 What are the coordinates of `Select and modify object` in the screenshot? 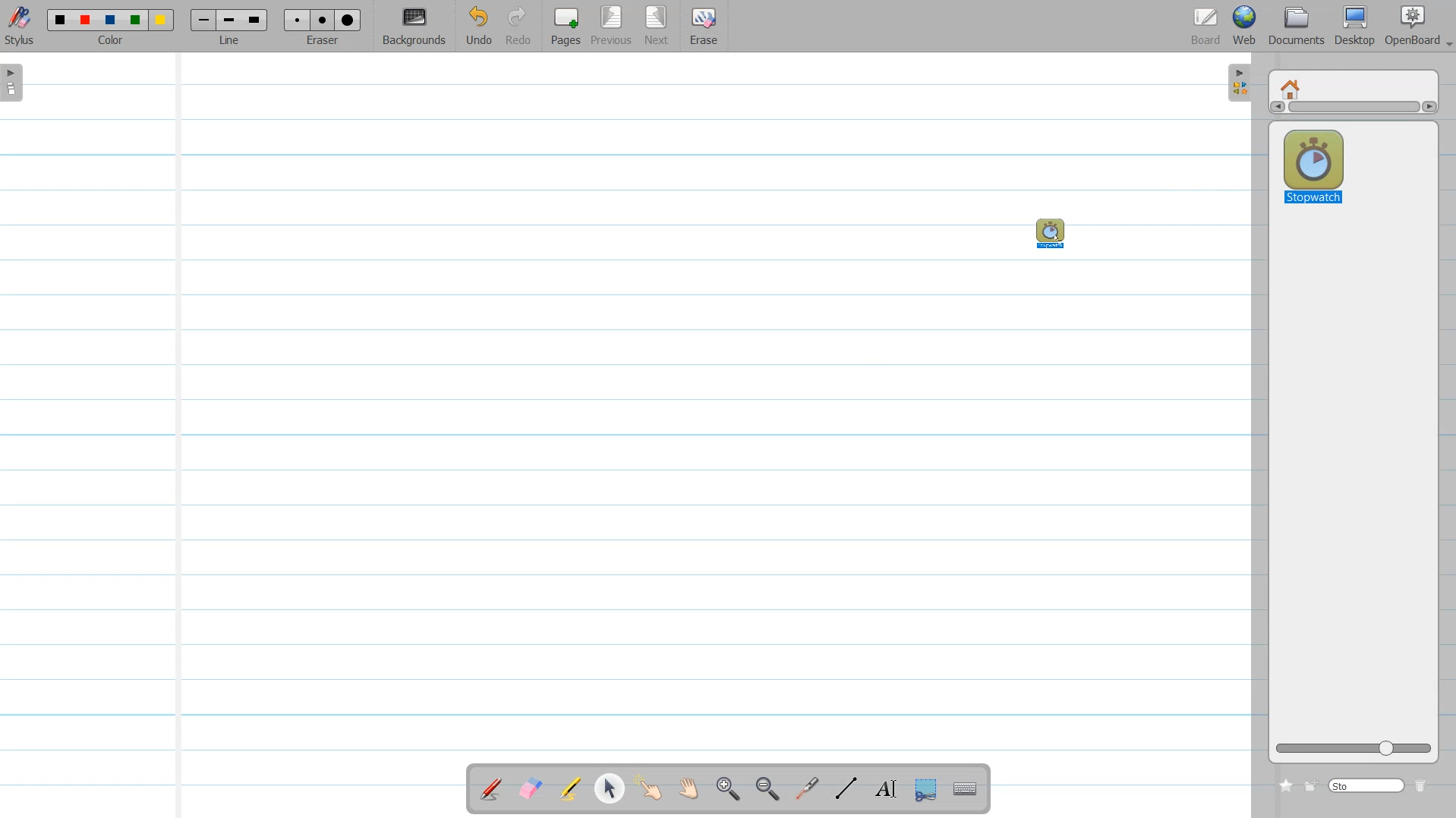 It's located at (609, 788).